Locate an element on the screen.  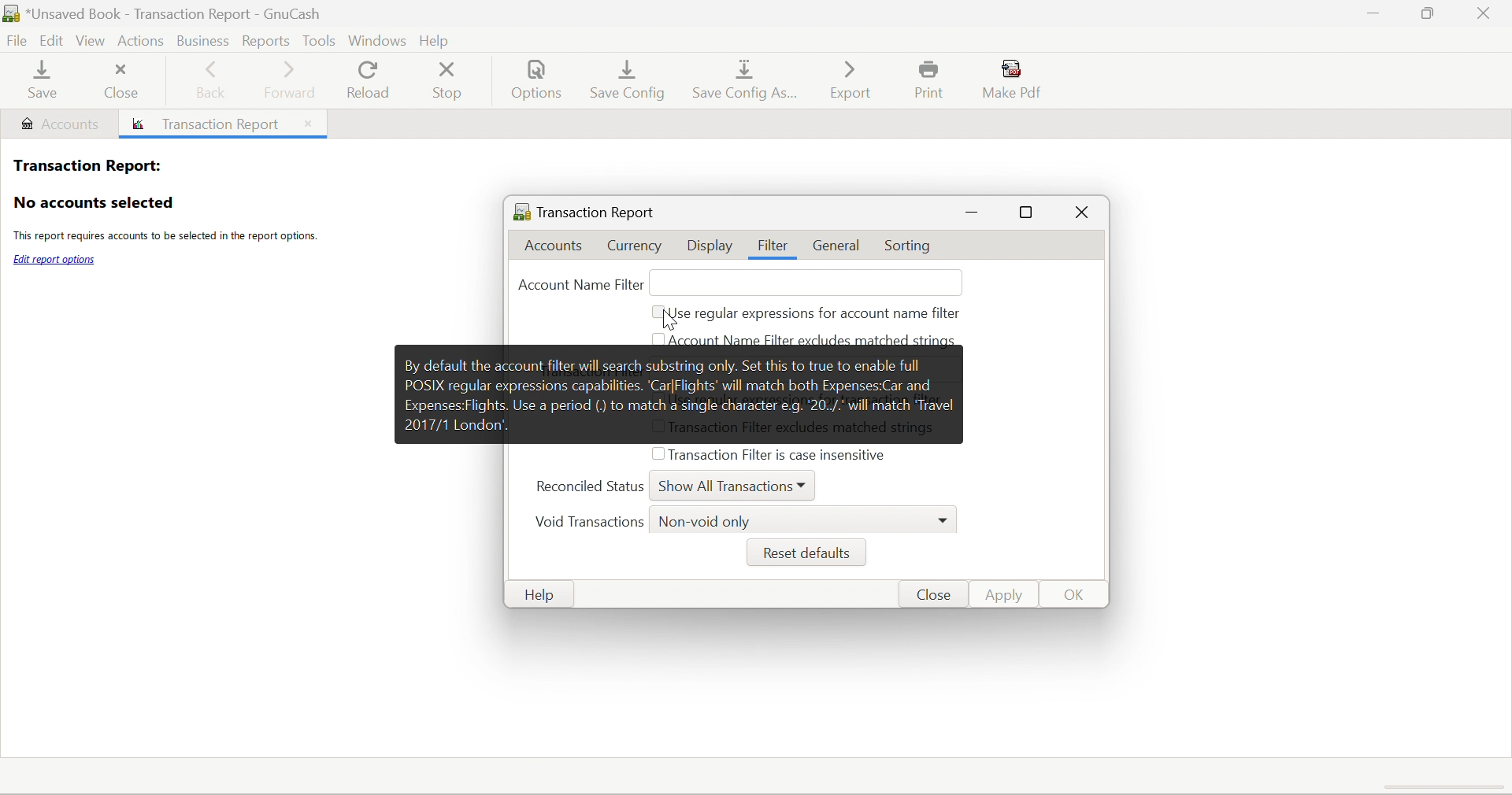
Account Name Filter excludes matched strings is located at coordinates (813, 339).